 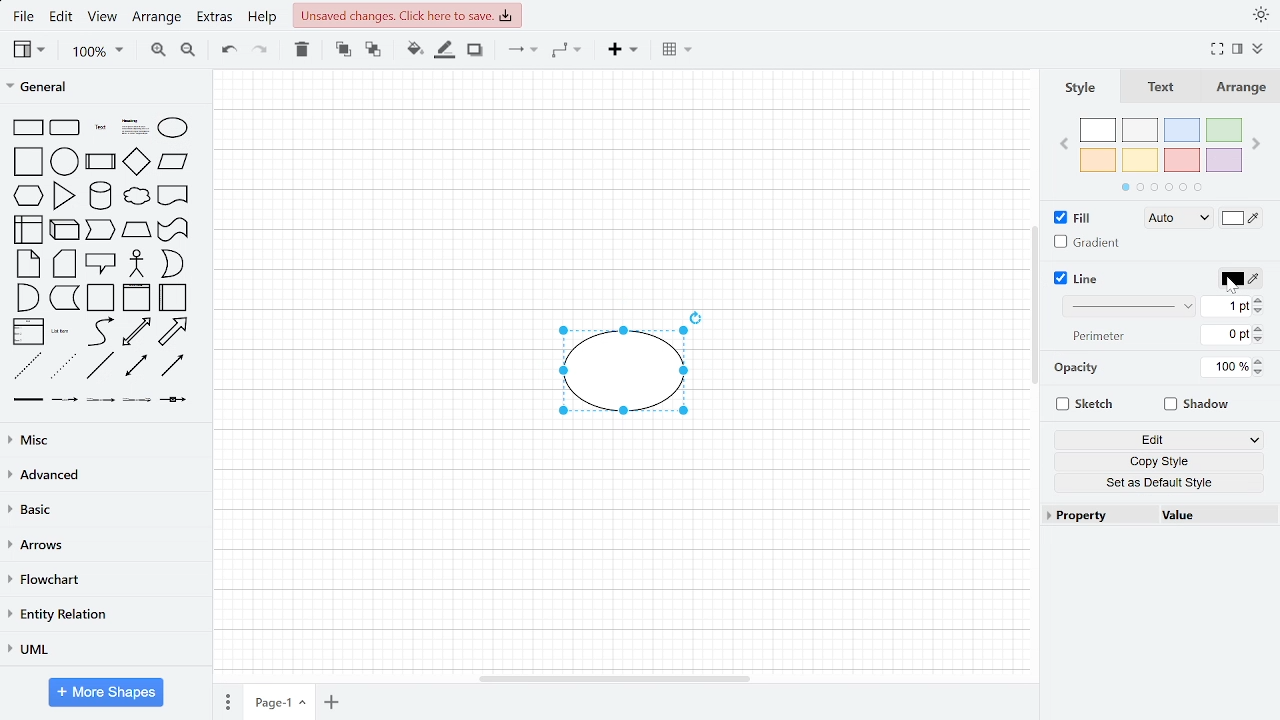 I want to click on zoom out, so click(x=186, y=50).